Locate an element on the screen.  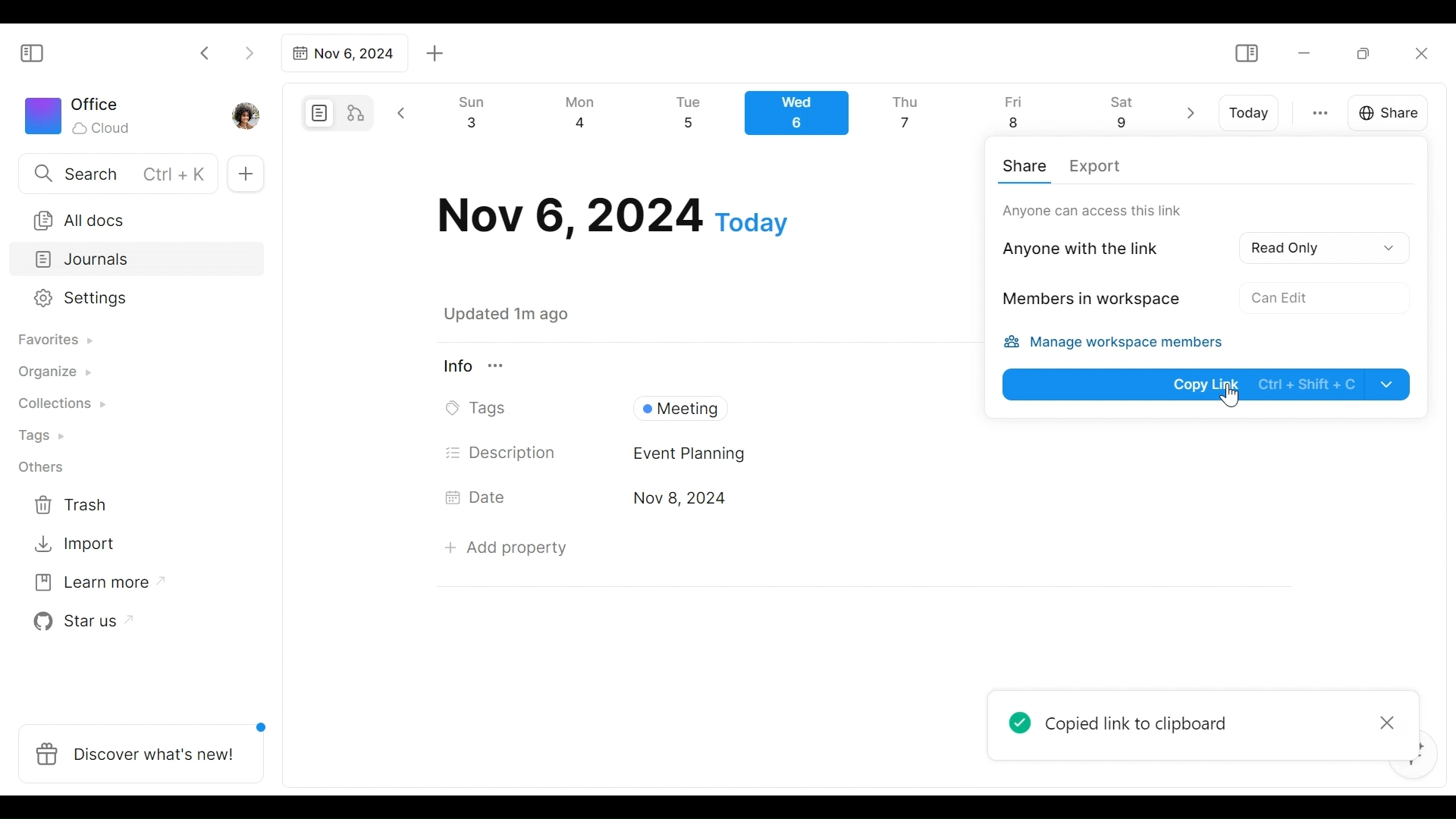
Add new  is located at coordinates (244, 174).